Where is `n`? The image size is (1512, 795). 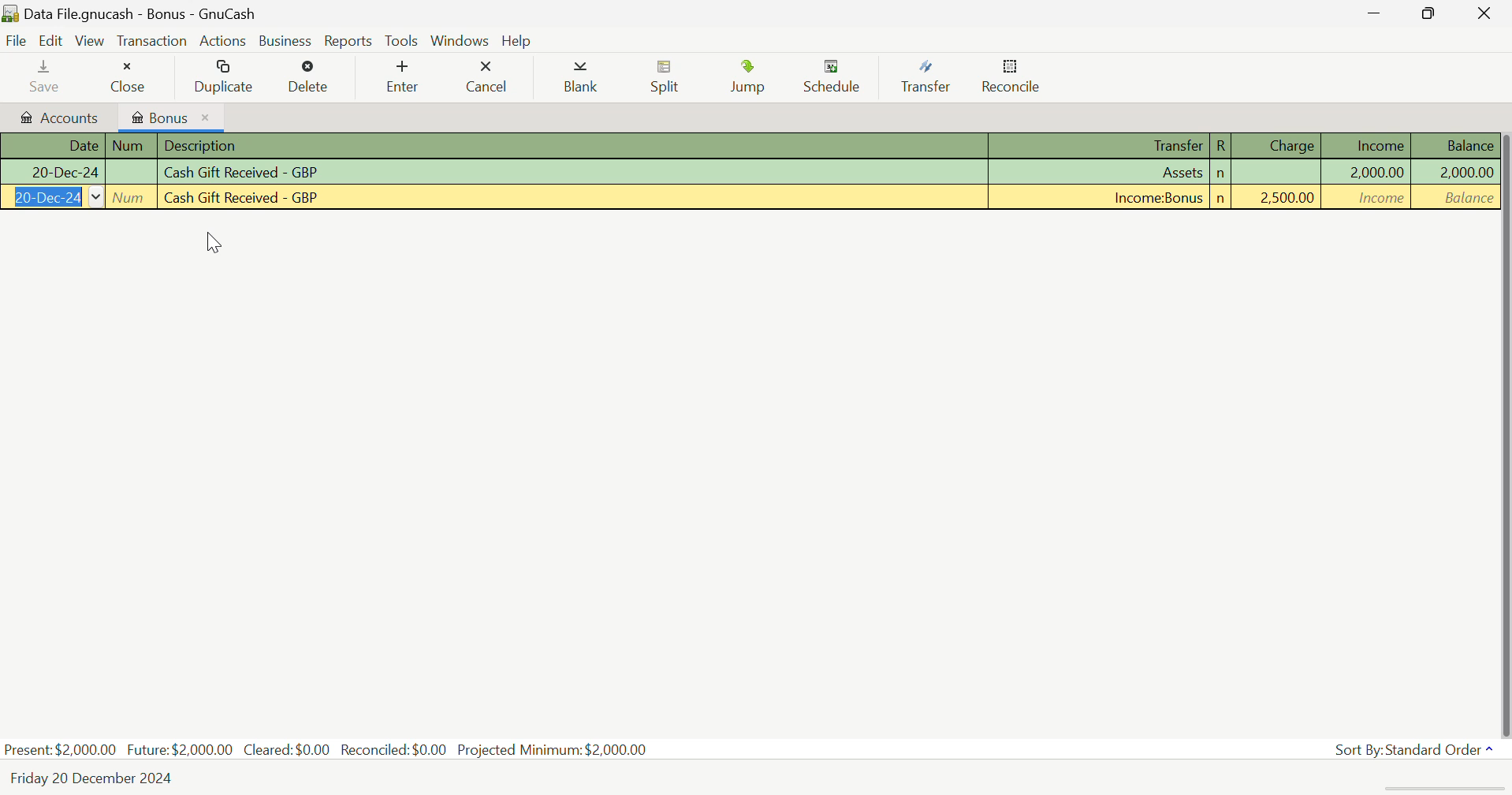 n is located at coordinates (1221, 174).